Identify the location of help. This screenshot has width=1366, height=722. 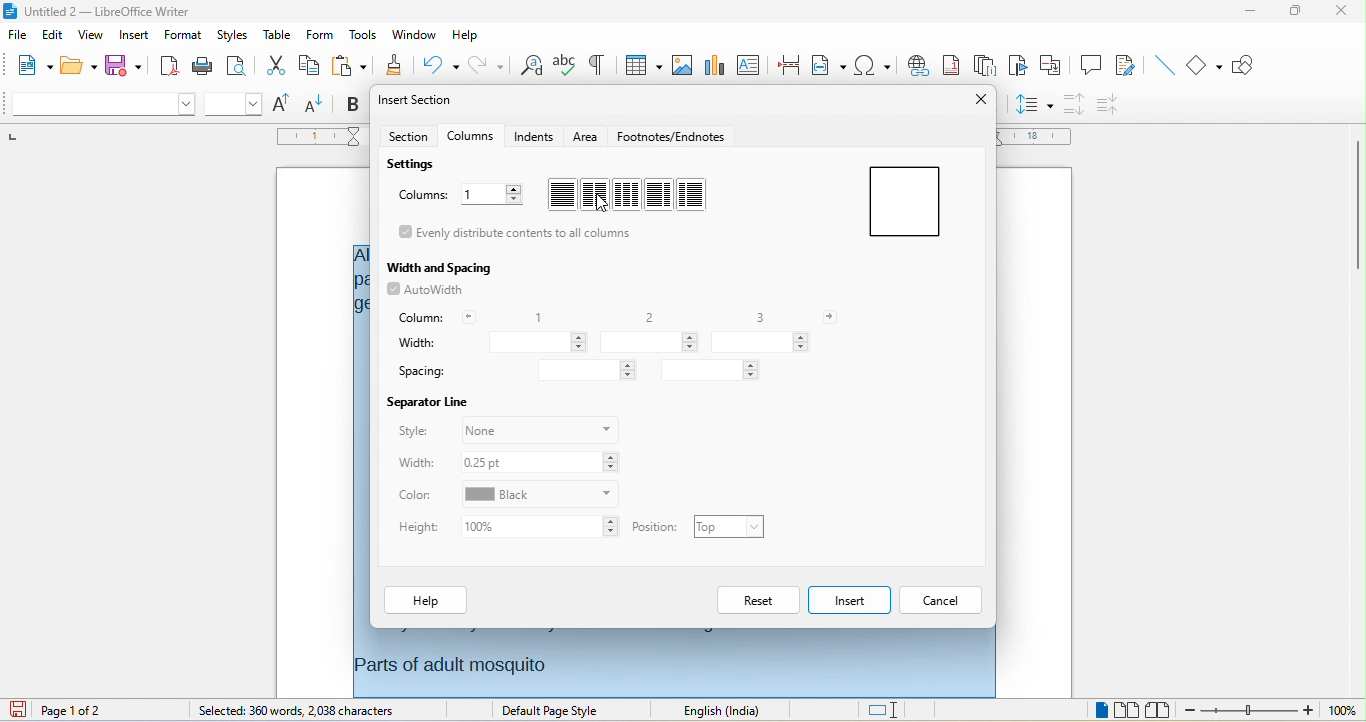
(427, 601).